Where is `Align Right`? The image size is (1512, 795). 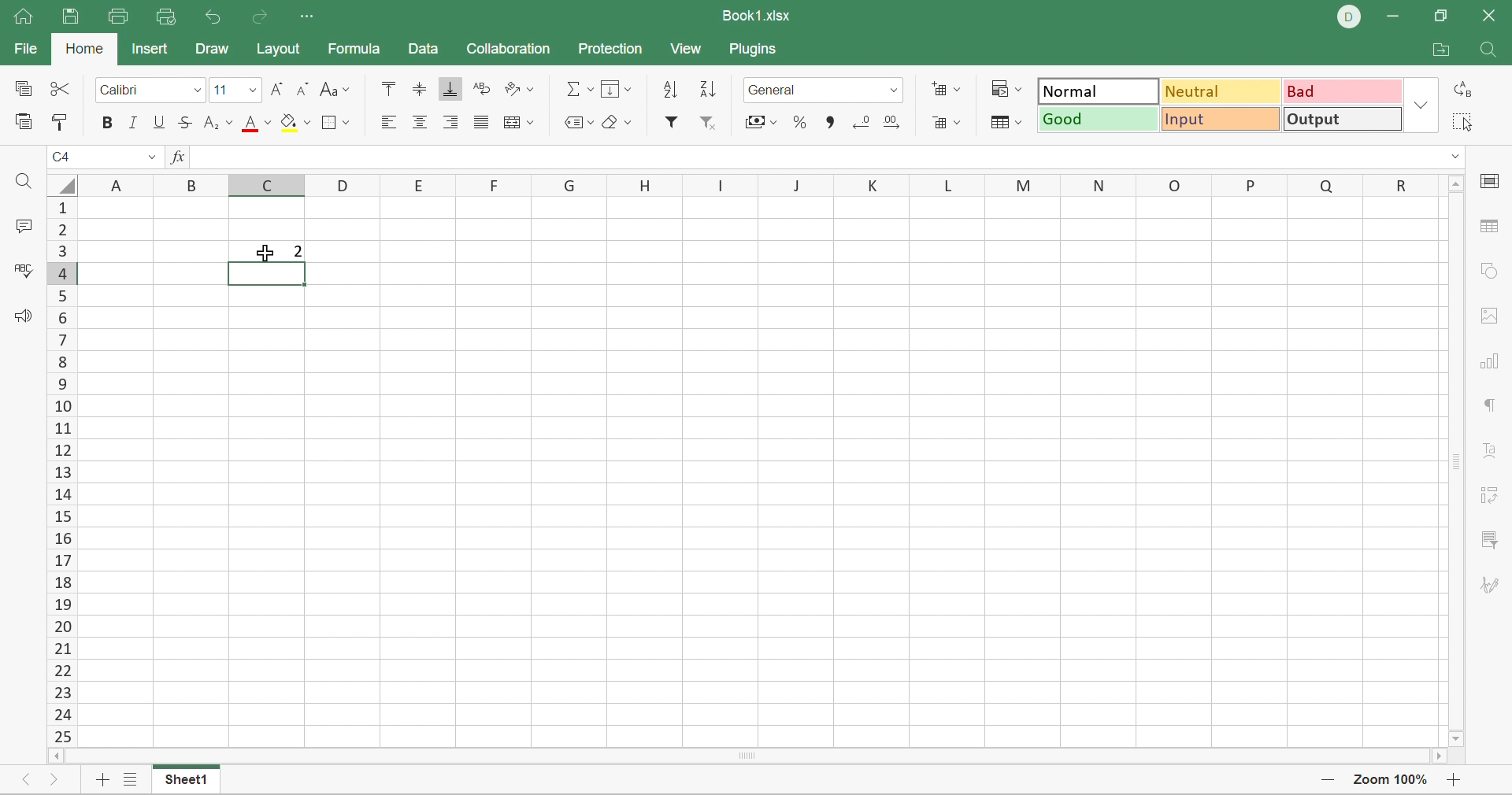
Align Right is located at coordinates (454, 121).